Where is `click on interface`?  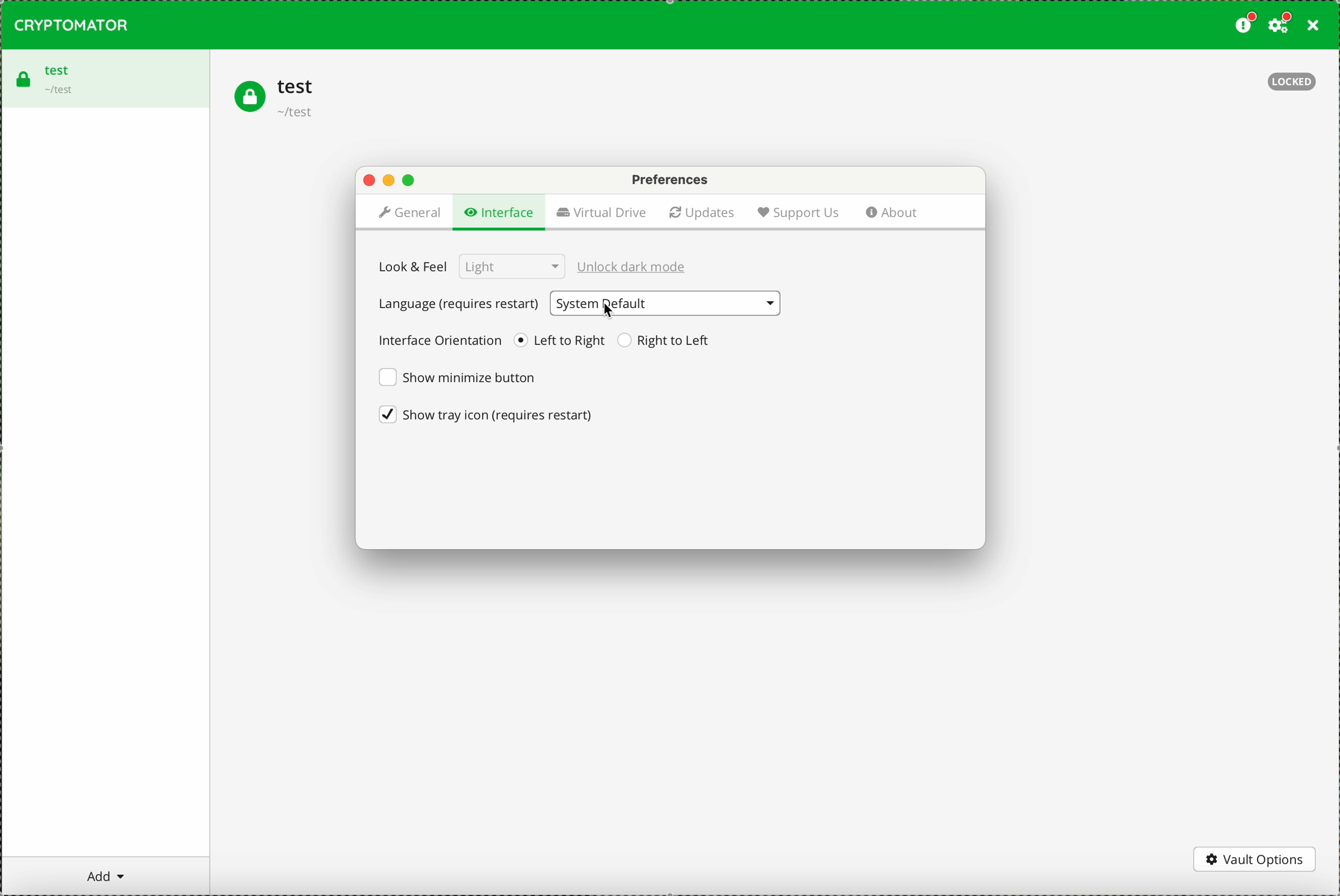 click on interface is located at coordinates (498, 211).